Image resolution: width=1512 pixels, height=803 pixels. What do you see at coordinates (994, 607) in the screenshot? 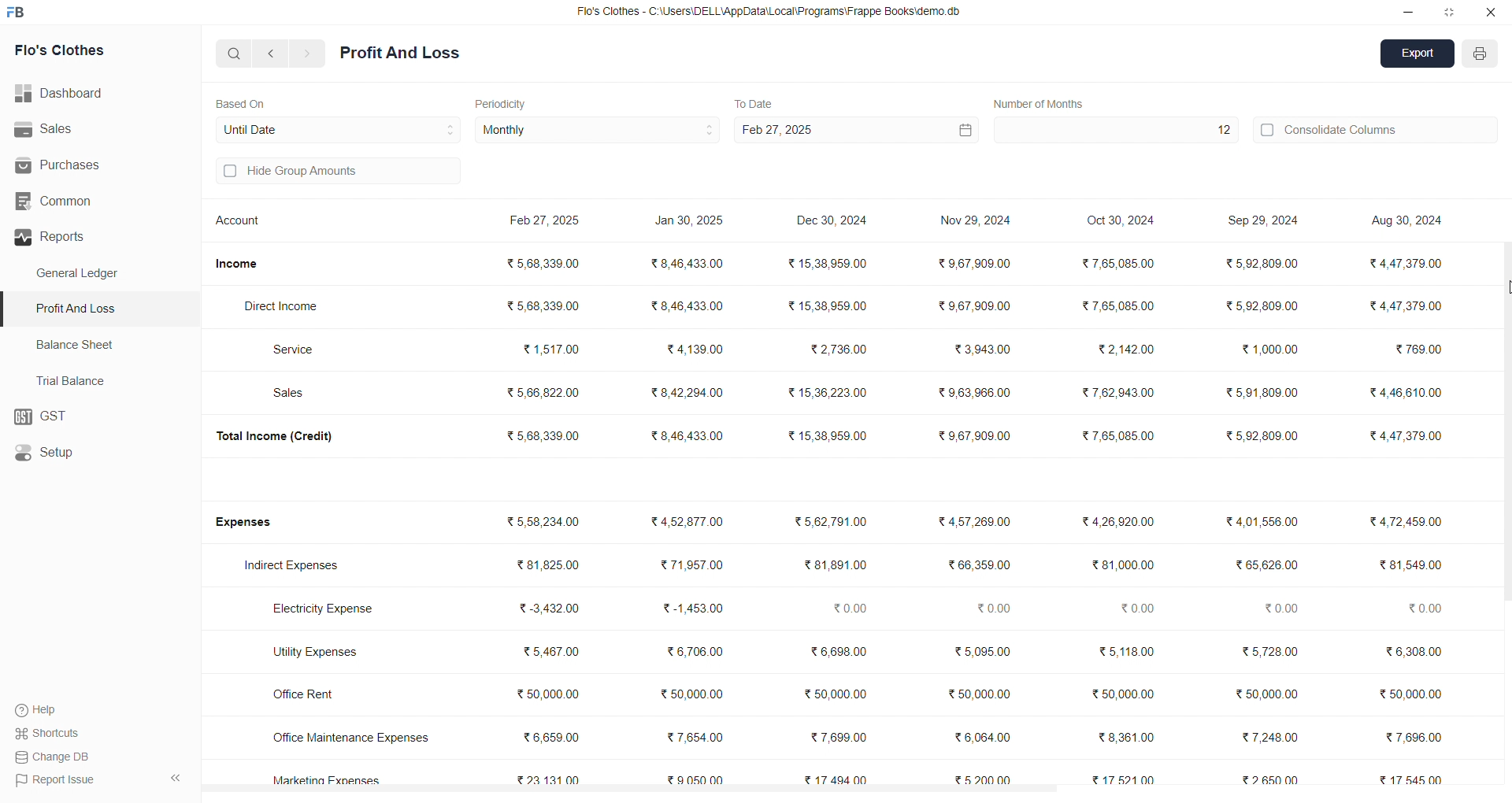
I see `₹0.00` at bounding box center [994, 607].